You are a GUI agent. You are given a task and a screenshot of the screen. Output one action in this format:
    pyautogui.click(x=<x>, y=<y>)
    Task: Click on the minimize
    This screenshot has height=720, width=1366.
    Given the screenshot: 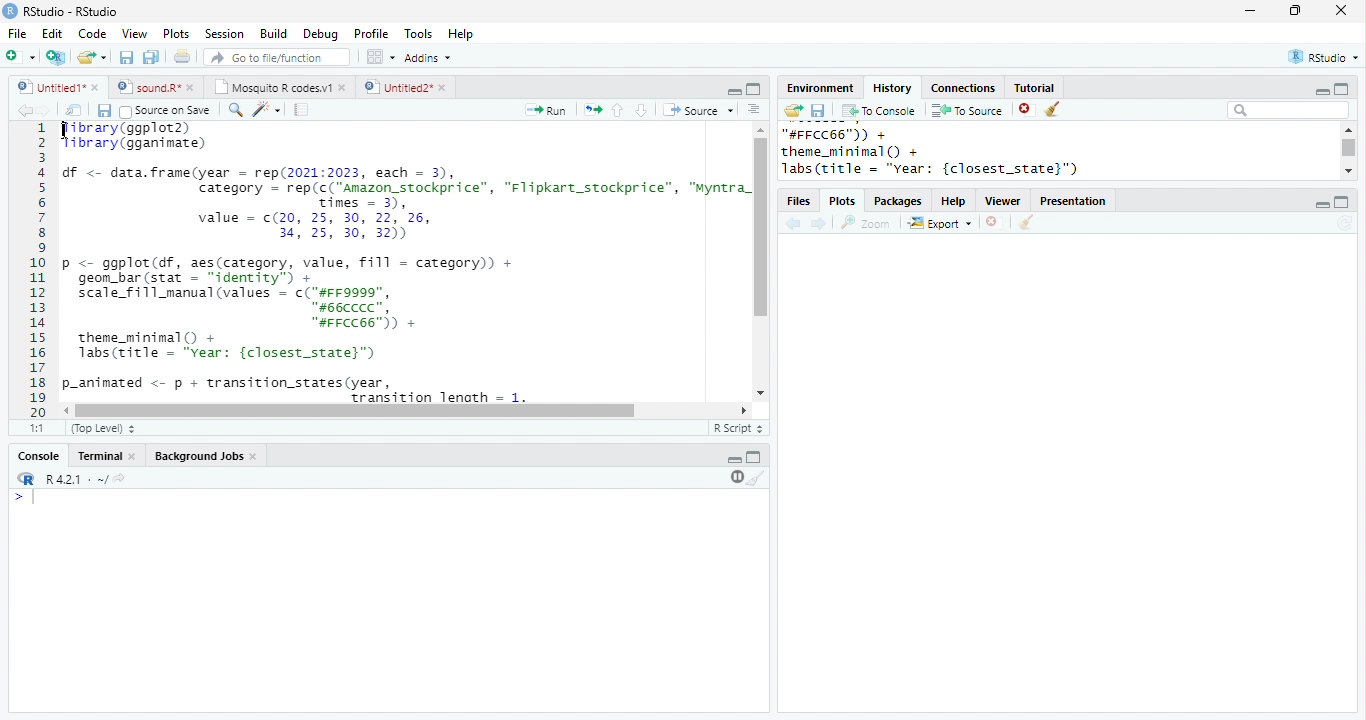 What is the action you would take?
    pyautogui.click(x=734, y=460)
    